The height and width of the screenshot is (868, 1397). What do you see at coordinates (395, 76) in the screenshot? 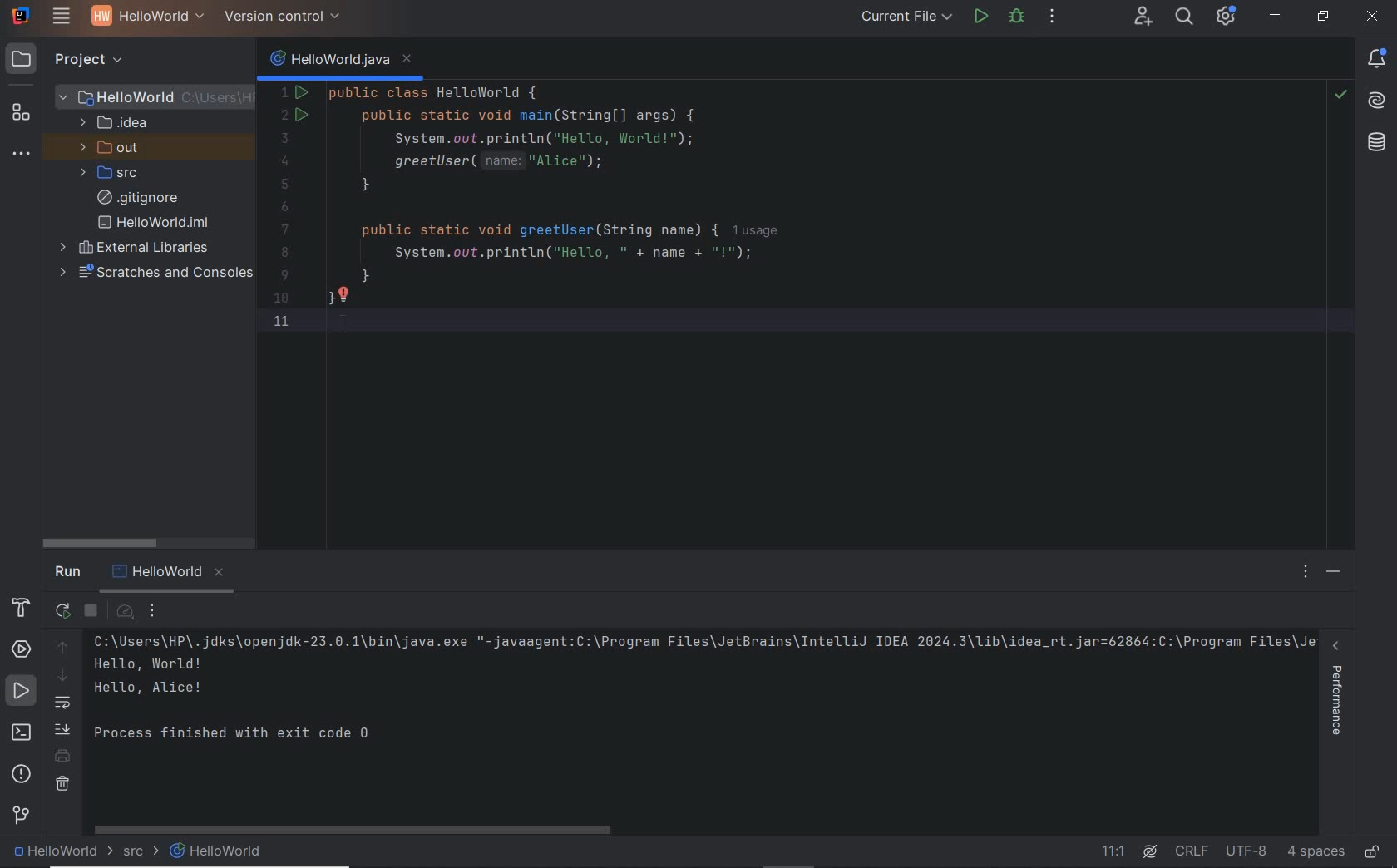
I see `Code running` at bounding box center [395, 76].